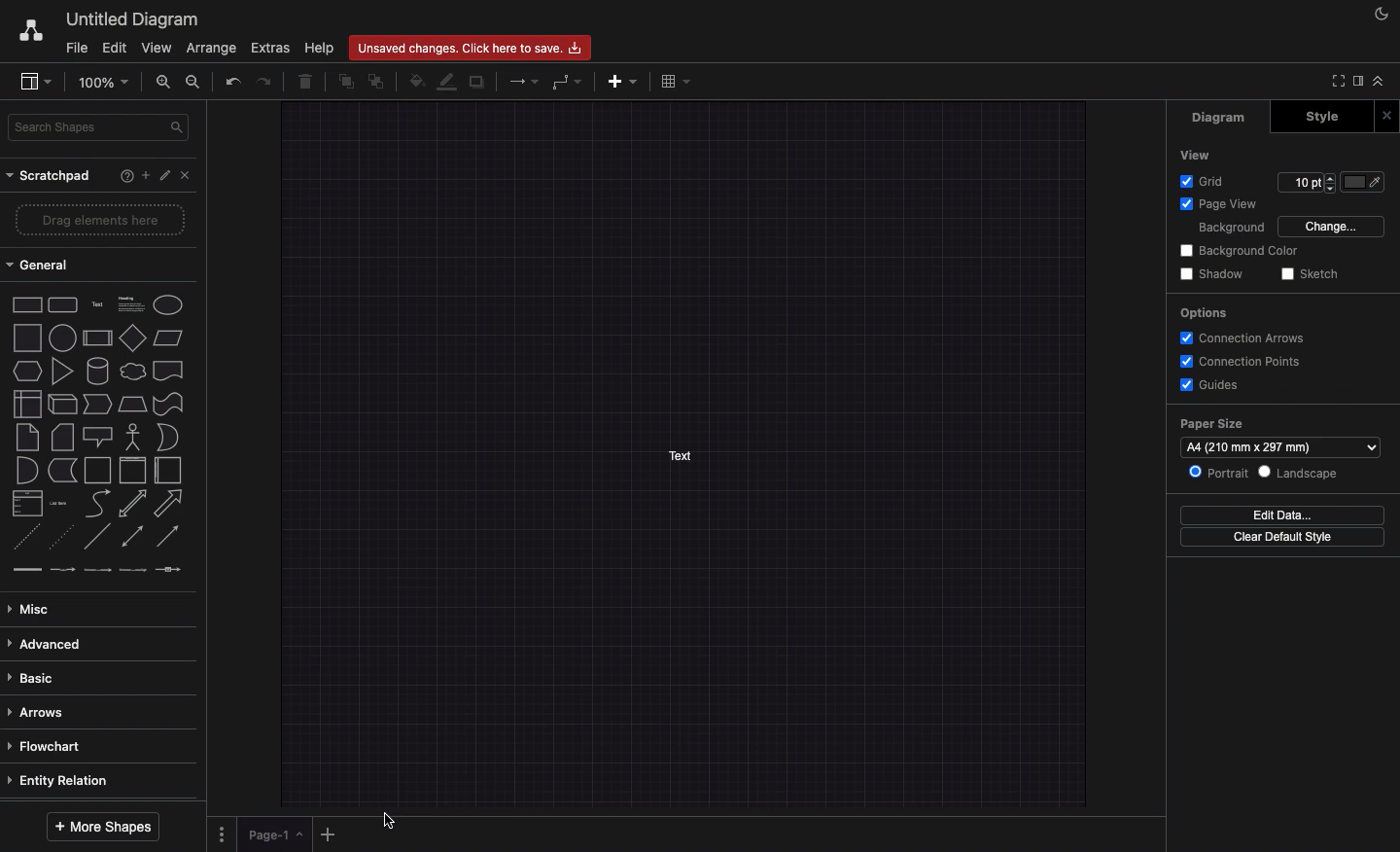 The height and width of the screenshot is (852, 1400). I want to click on Options, so click(223, 834).